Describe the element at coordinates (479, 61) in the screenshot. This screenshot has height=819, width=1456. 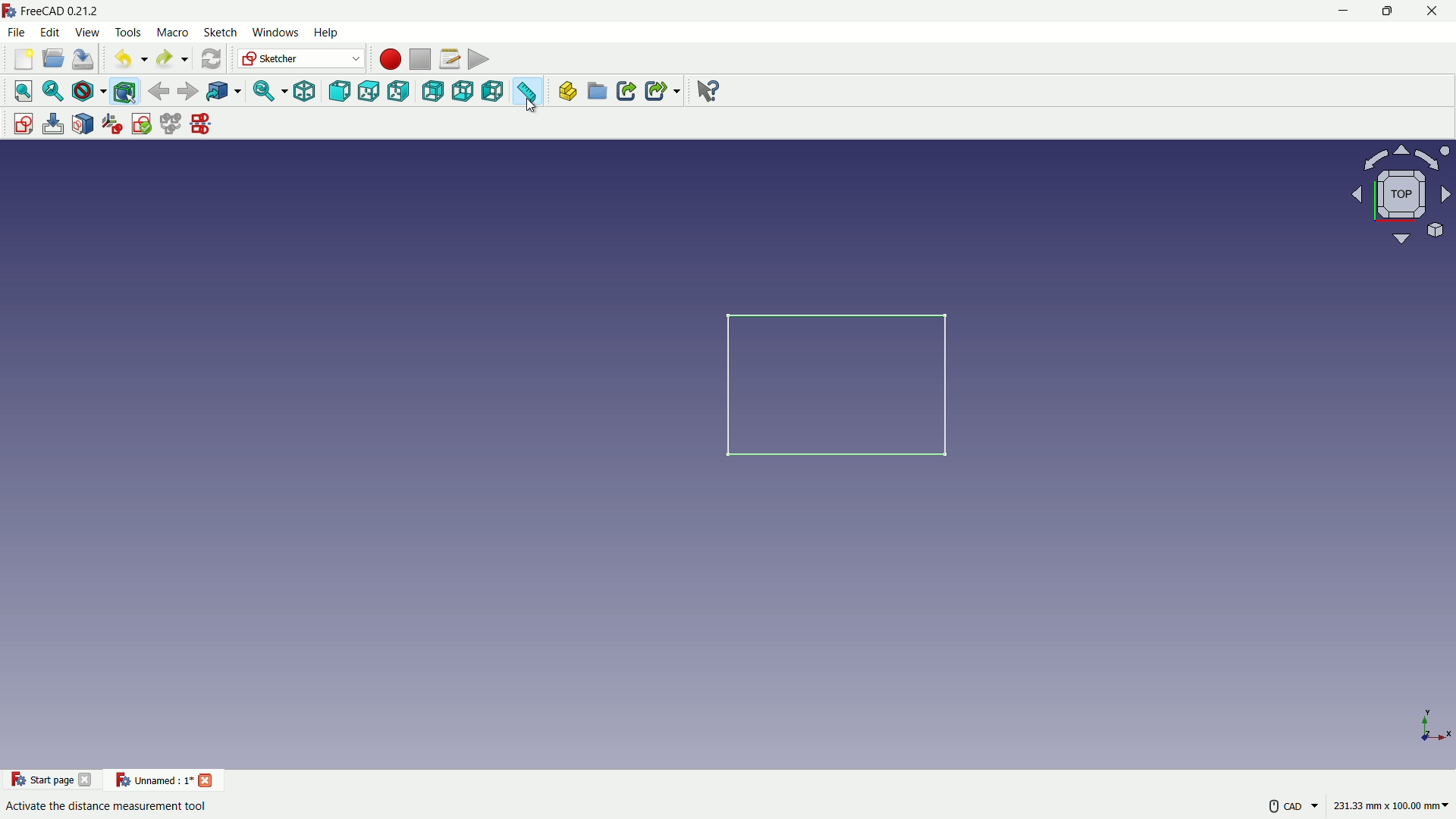
I see `execute macros` at that location.